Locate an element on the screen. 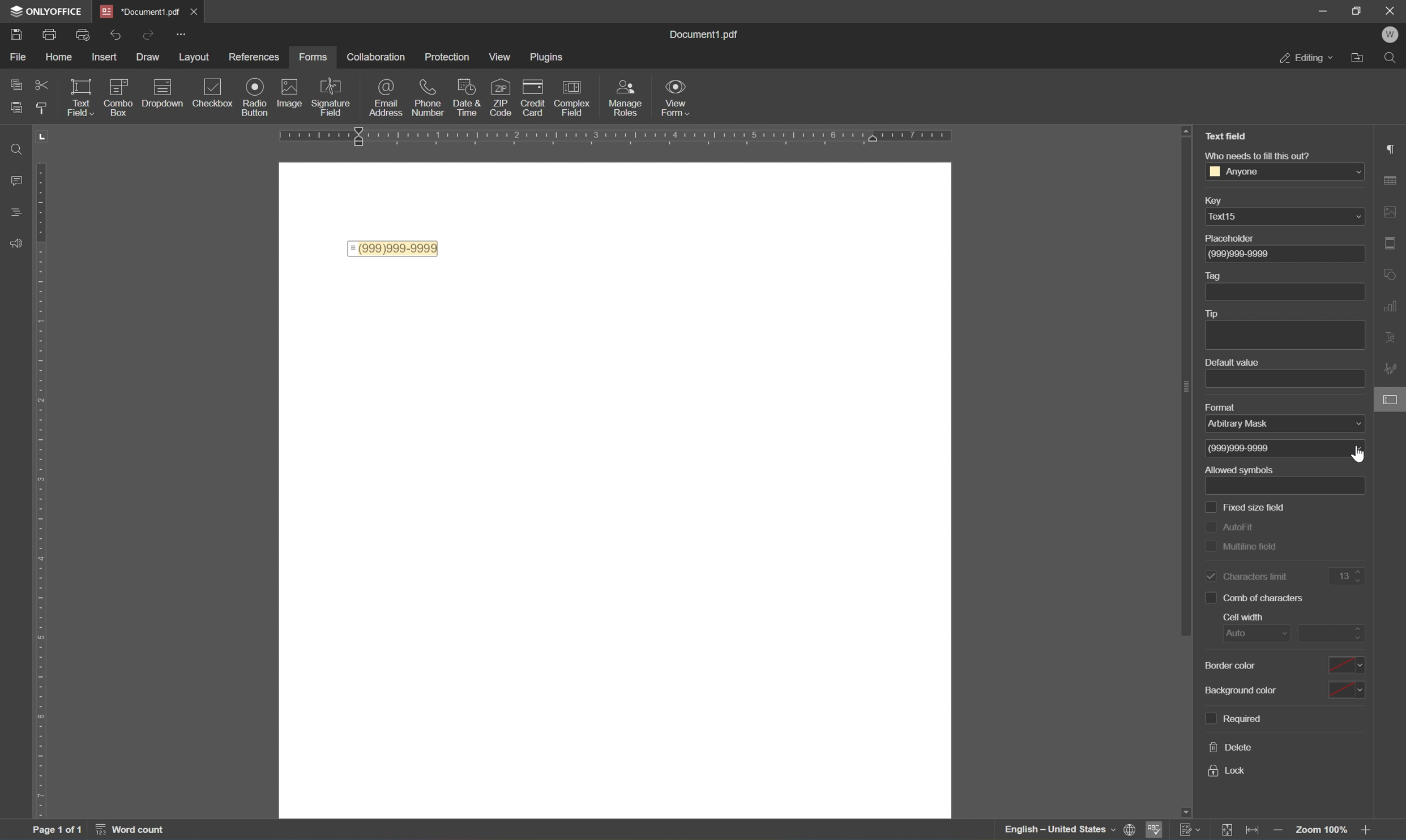  checkbox is located at coordinates (119, 95).